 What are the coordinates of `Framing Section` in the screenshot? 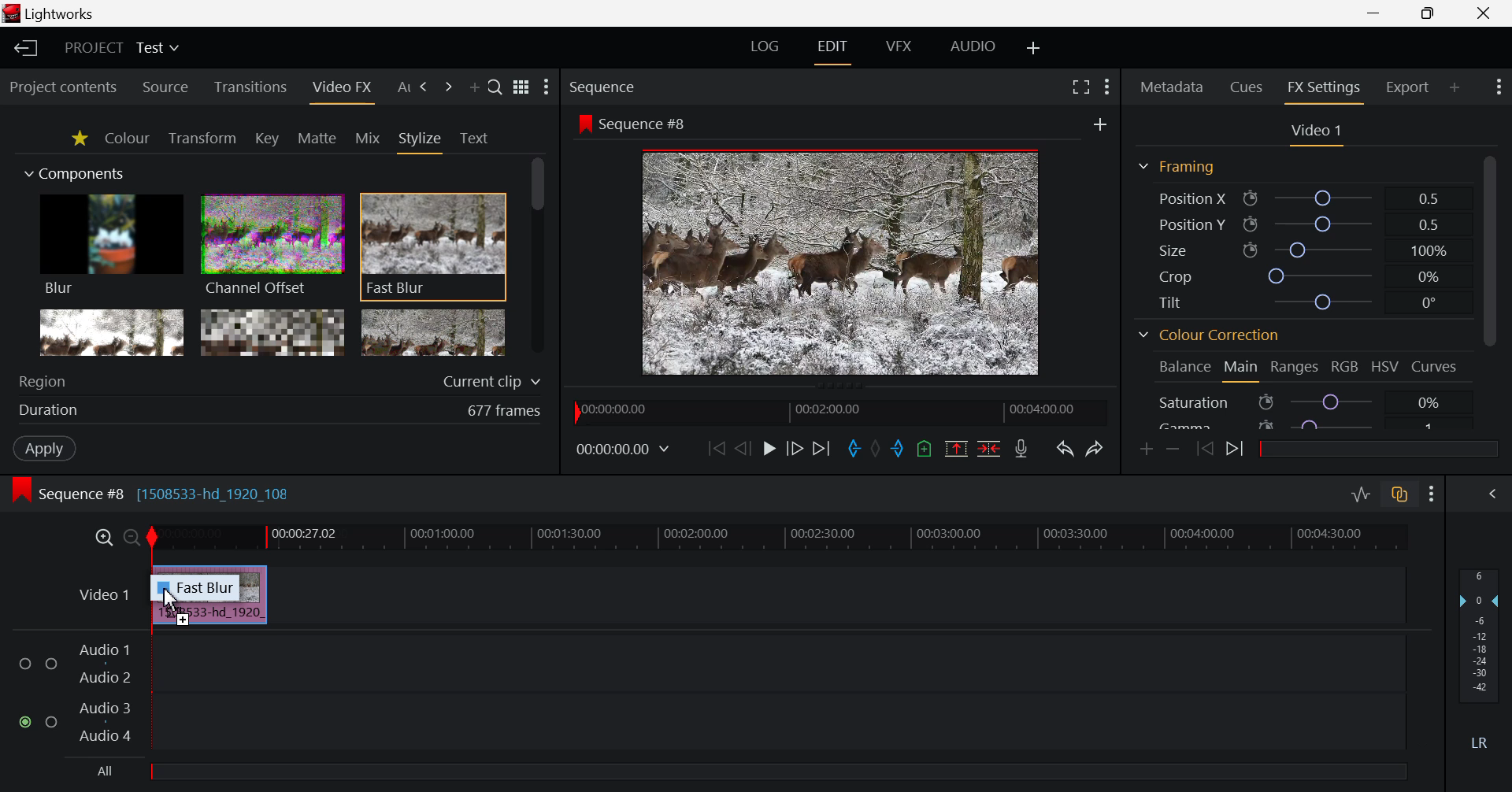 It's located at (1178, 165).